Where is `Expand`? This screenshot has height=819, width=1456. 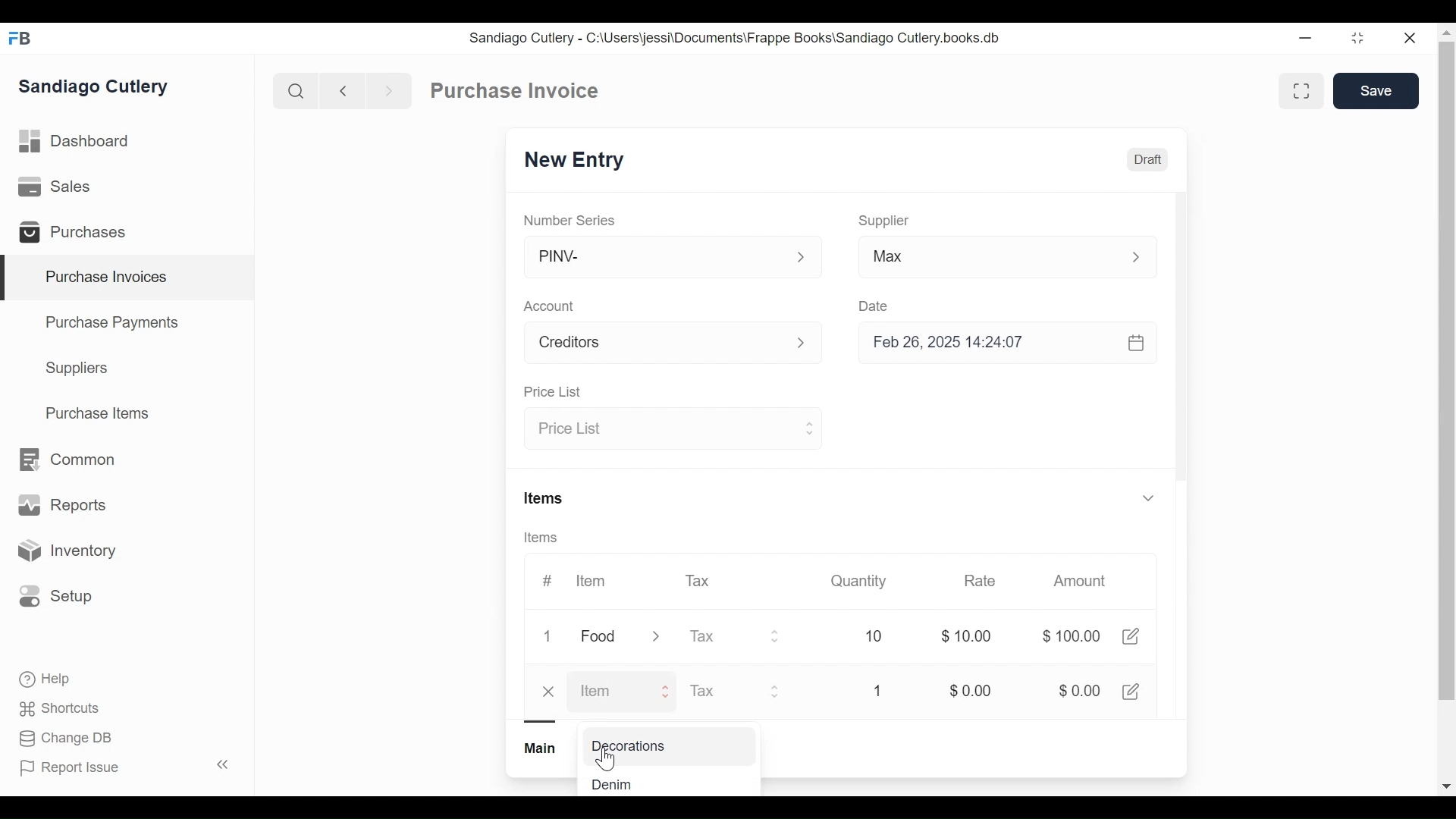 Expand is located at coordinates (1151, 497).